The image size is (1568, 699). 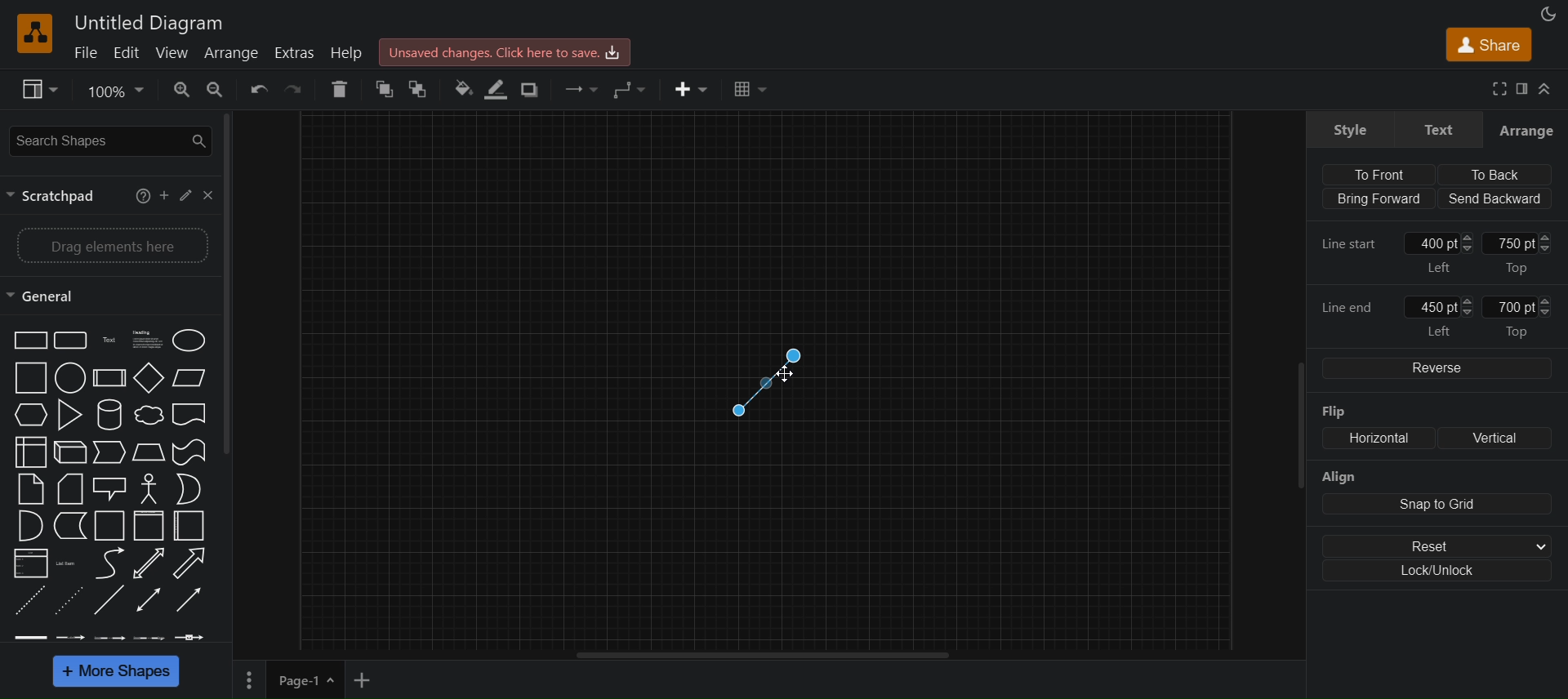 I want to click on 100%, so click(x=115, y=92).